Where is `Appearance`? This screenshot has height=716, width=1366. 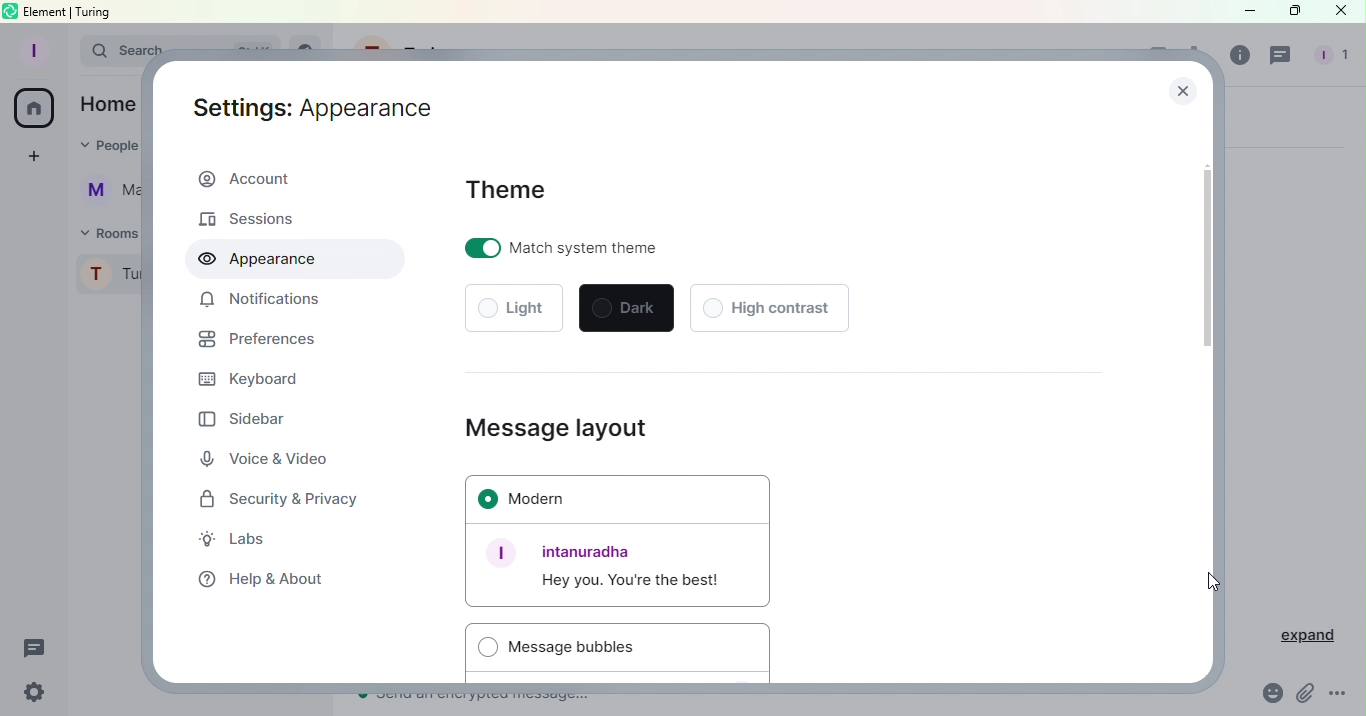 Appearance is located at coordinates (293, 258).